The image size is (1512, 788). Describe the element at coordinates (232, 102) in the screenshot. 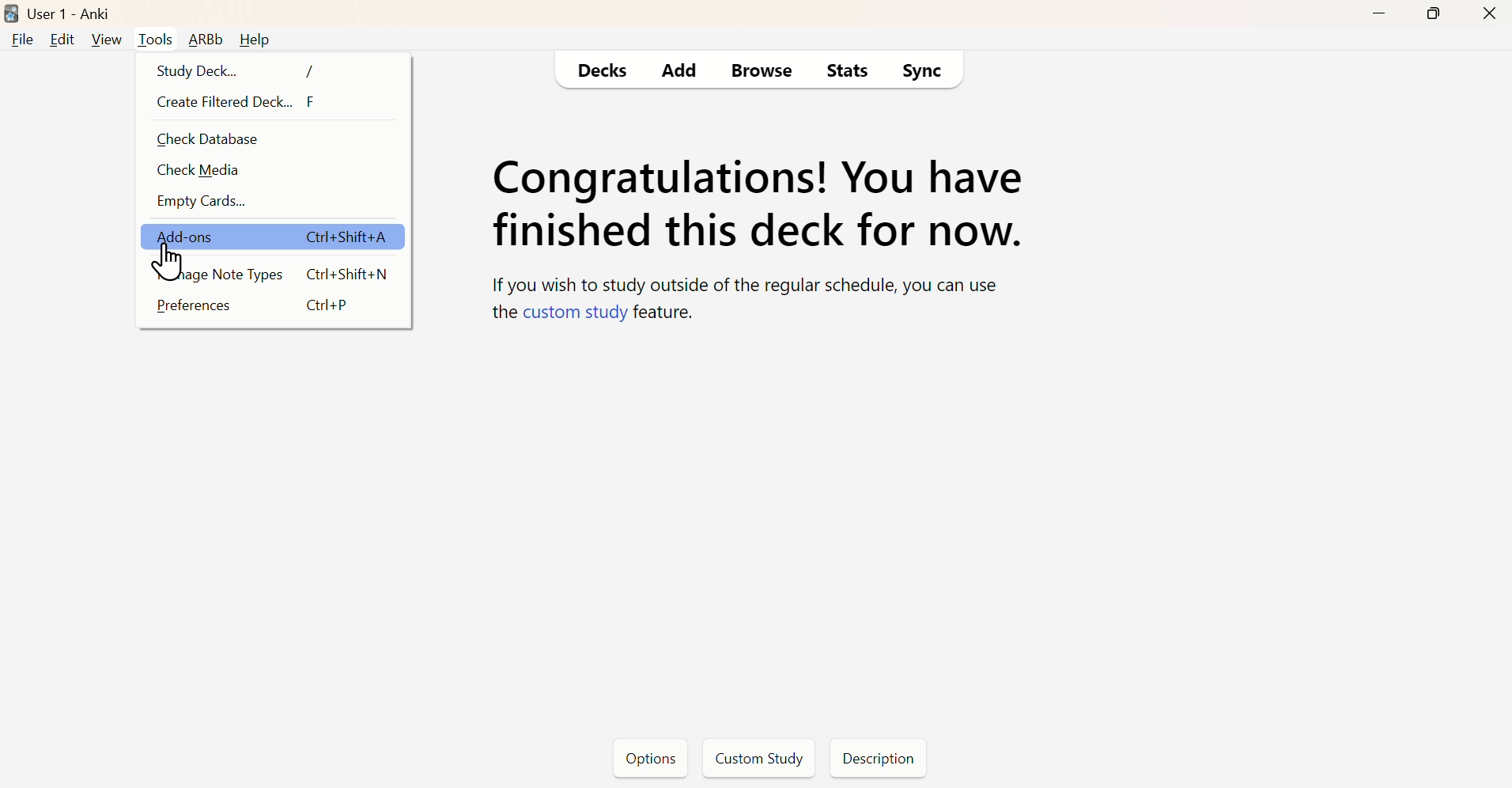

I see `Create Filteres Deck... F` at that location.